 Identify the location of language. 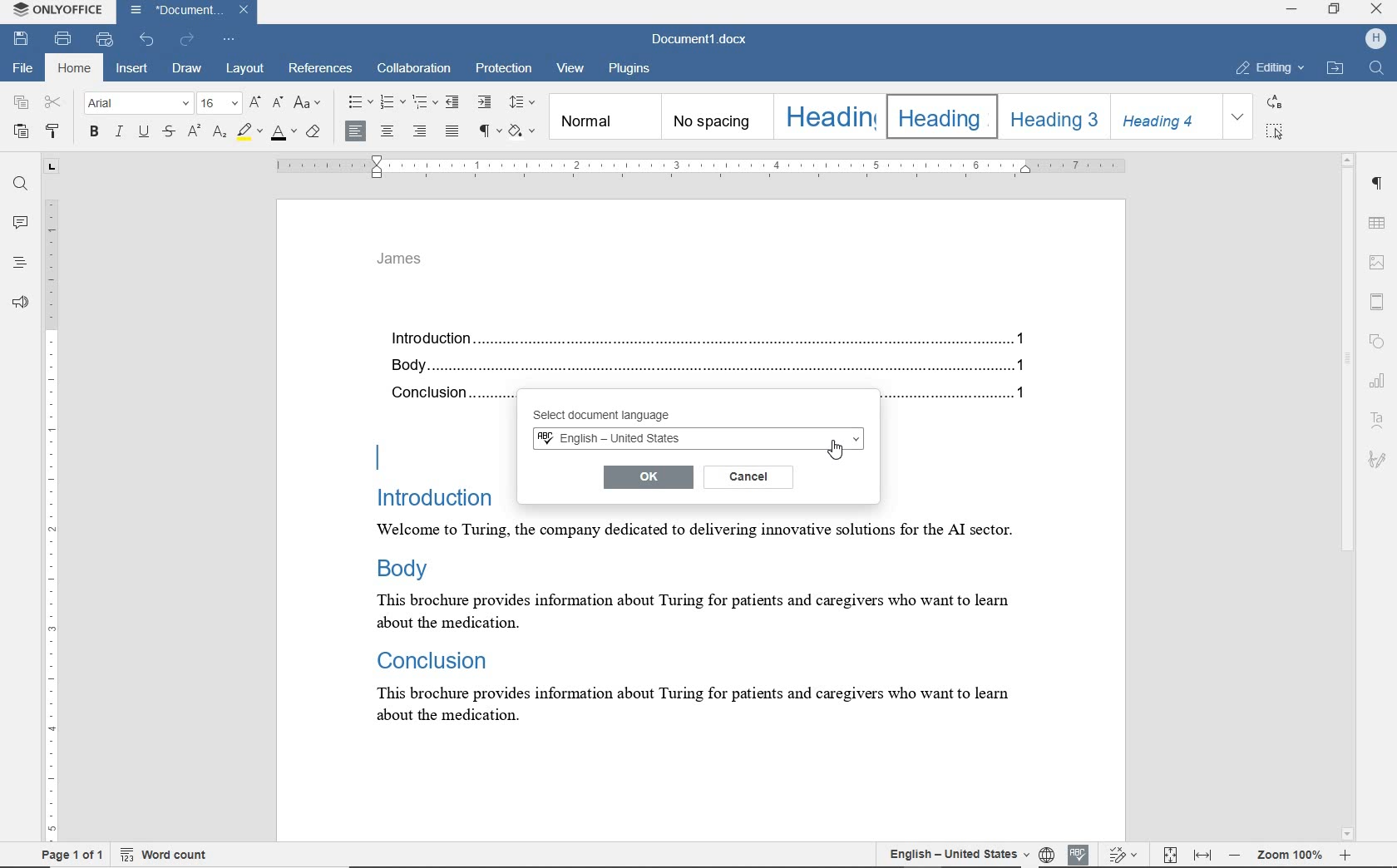
(1046, 854).